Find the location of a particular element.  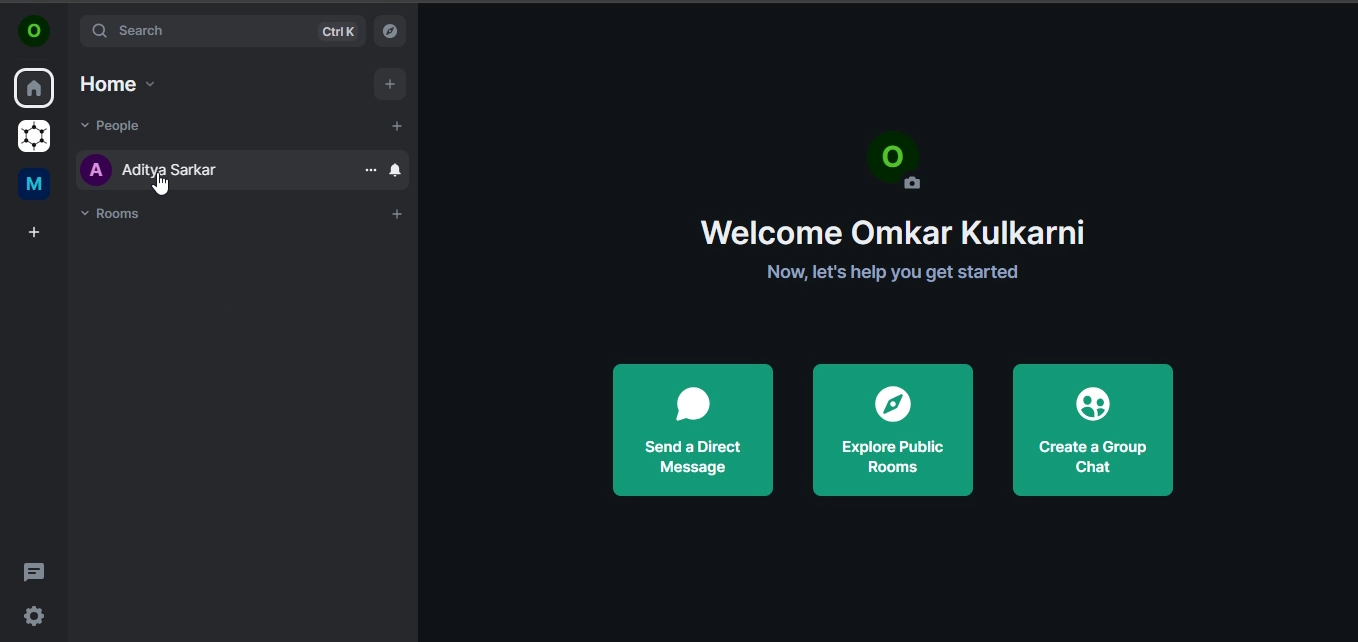

add is located at coordinates (391, 83).